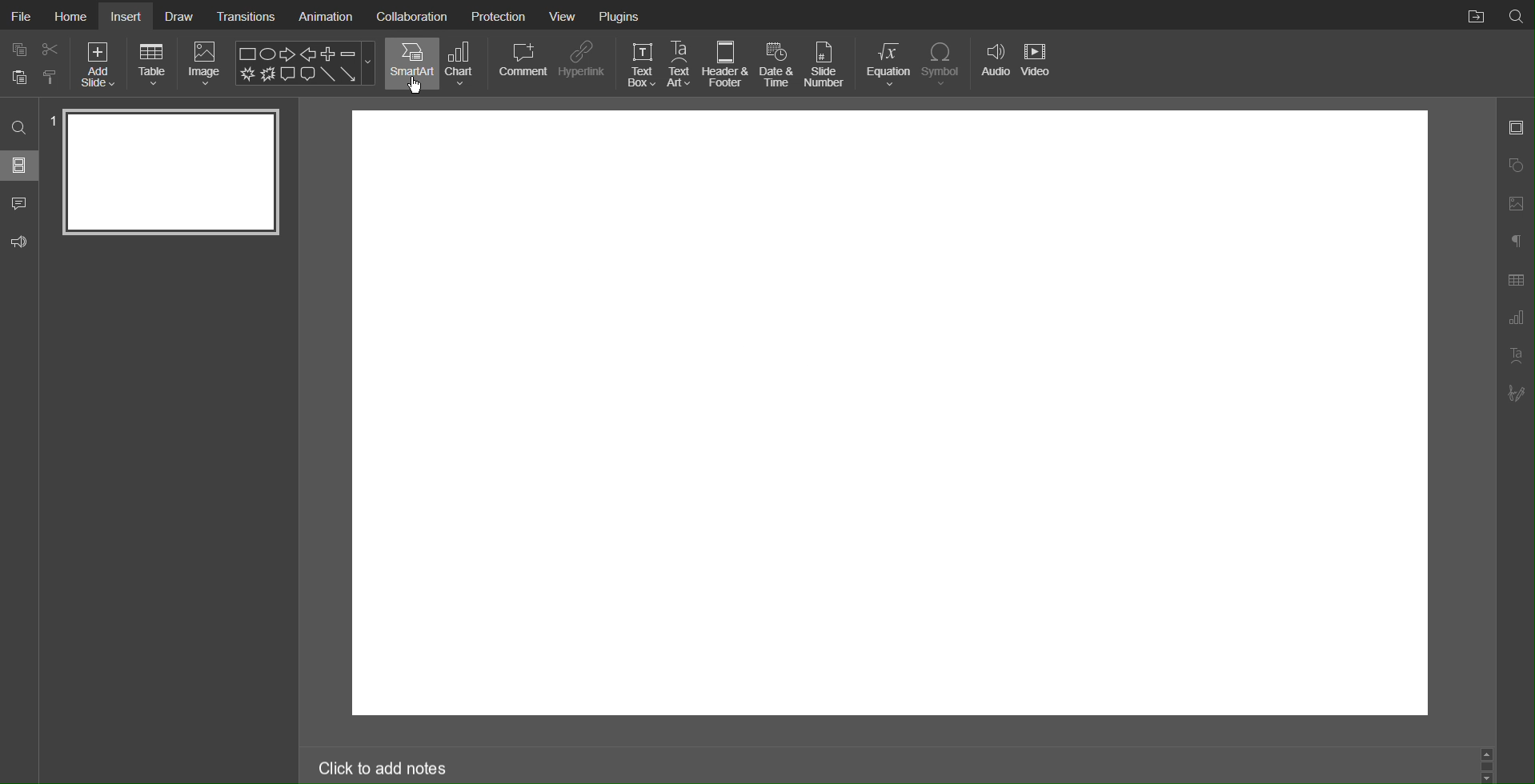 This screenshot has height=784, width=1535. I want to click on Slide Number, so click(828, 67).